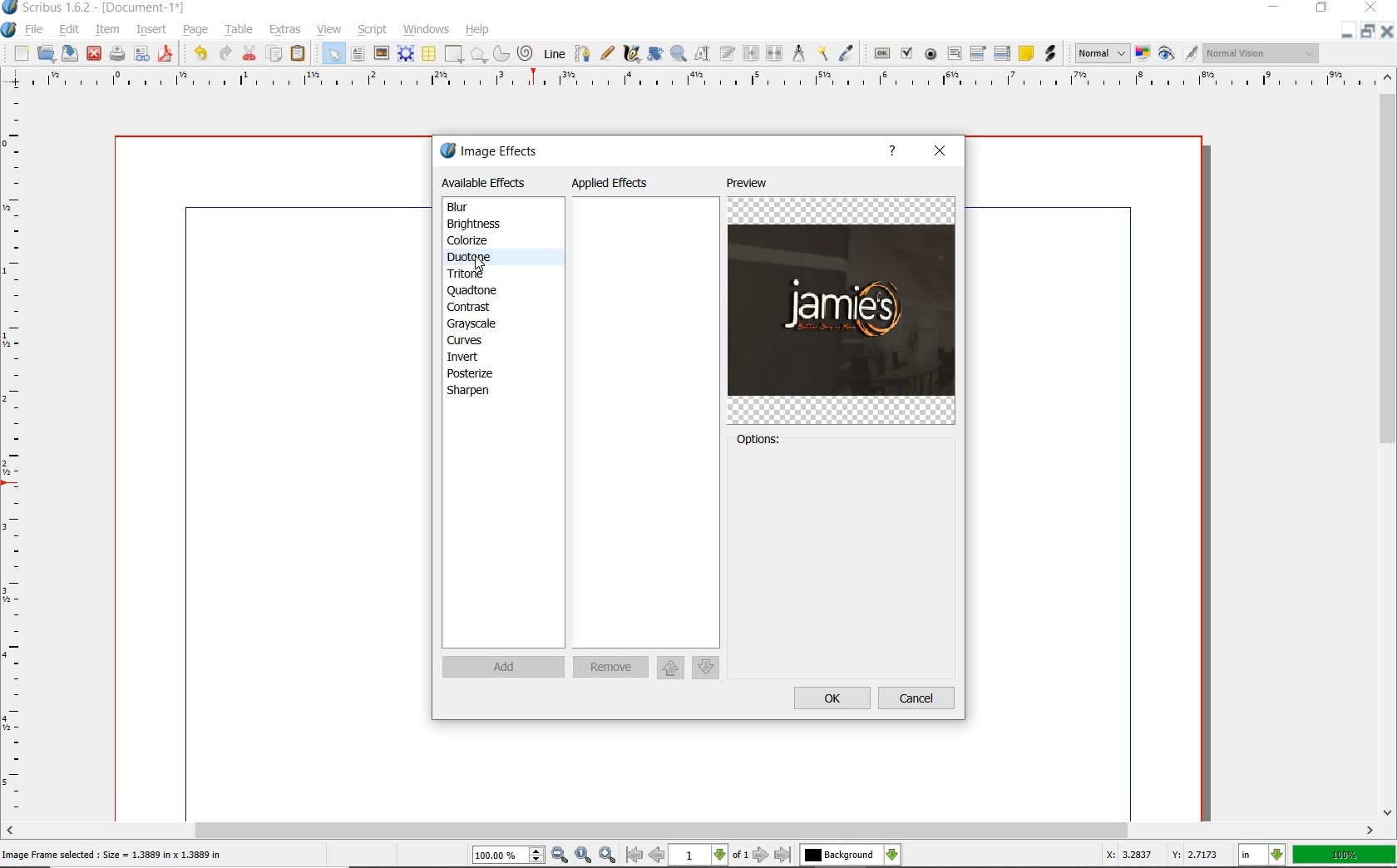 Image resolution: width=1397 pixels, height=868 pixels. Describe the element at coordinates (333, 53) in the screenshot. I see `SELECT` at that location.